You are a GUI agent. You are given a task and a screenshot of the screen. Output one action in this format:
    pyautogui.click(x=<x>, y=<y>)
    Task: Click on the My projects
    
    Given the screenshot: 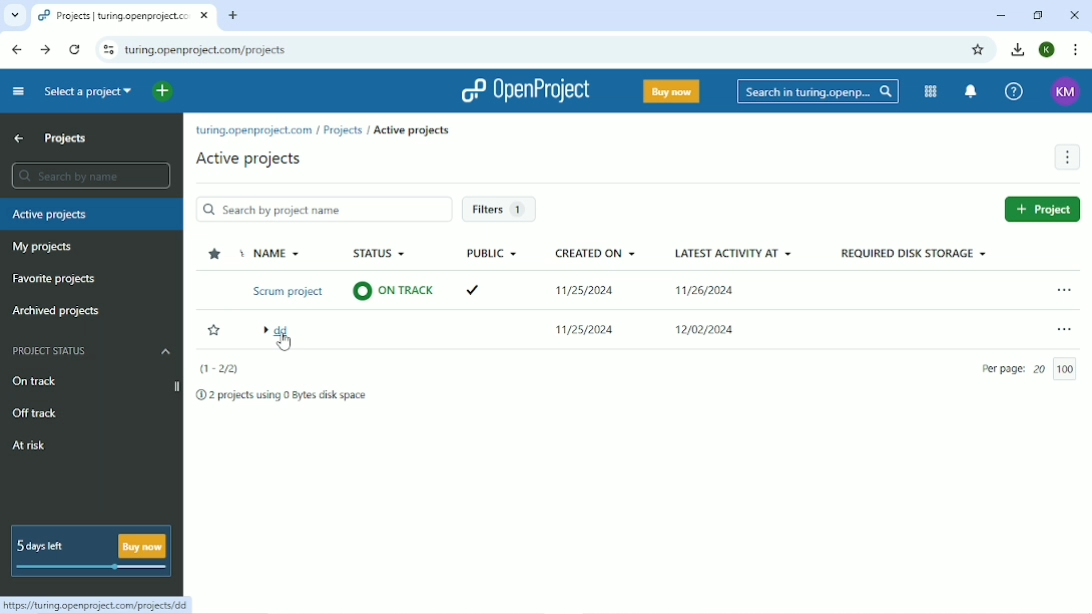 What is the action you would take?
    pyautogui.click(x=43, y=247)
    